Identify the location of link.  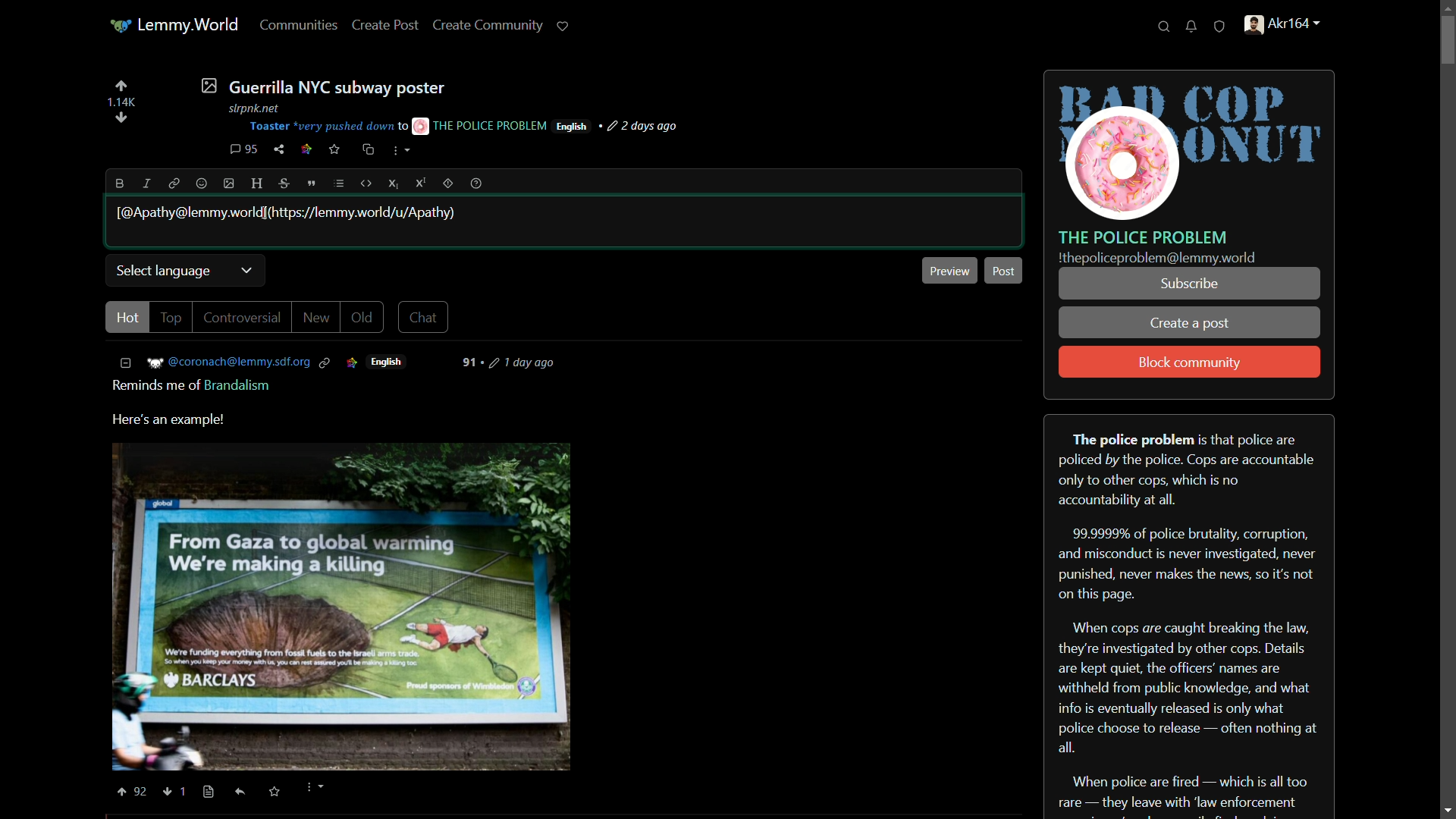
(171, 183).